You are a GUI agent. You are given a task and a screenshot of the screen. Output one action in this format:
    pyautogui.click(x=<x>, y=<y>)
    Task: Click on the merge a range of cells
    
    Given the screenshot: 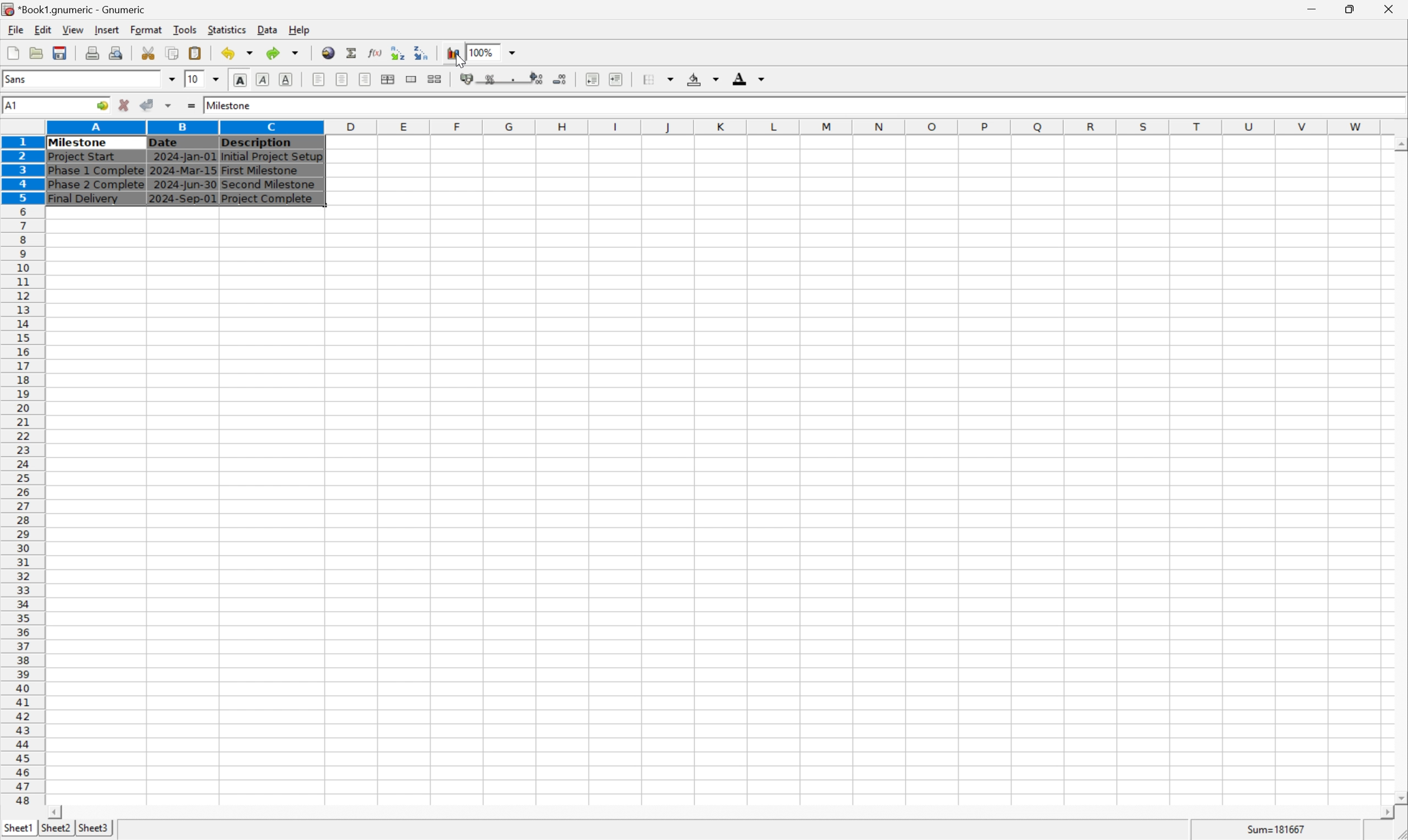 What is the action you would take?
    pyautogui.click(x=412, y=79)
    